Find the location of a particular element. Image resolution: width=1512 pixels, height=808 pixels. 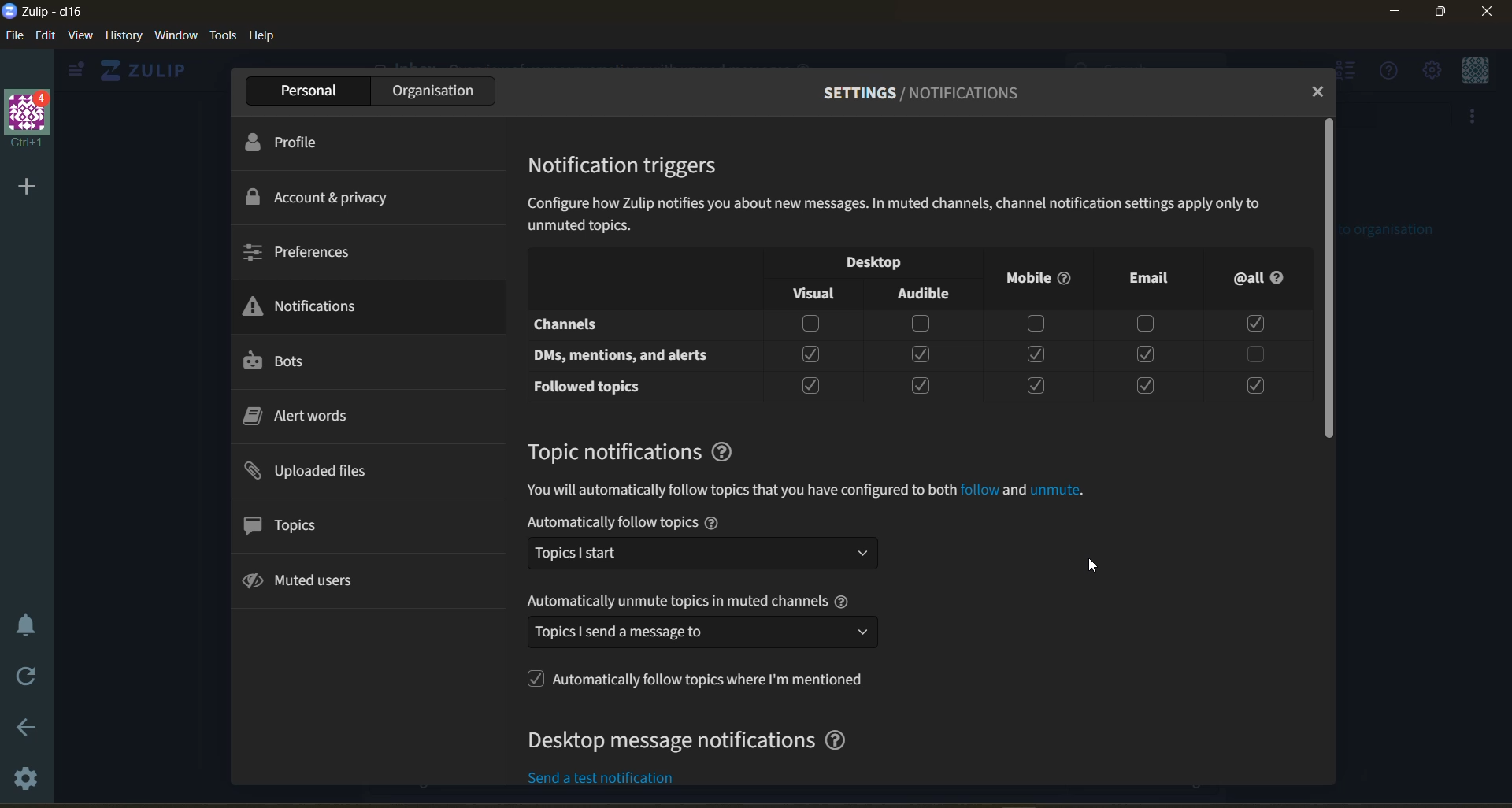

edit is located at coordinates (45, 36).